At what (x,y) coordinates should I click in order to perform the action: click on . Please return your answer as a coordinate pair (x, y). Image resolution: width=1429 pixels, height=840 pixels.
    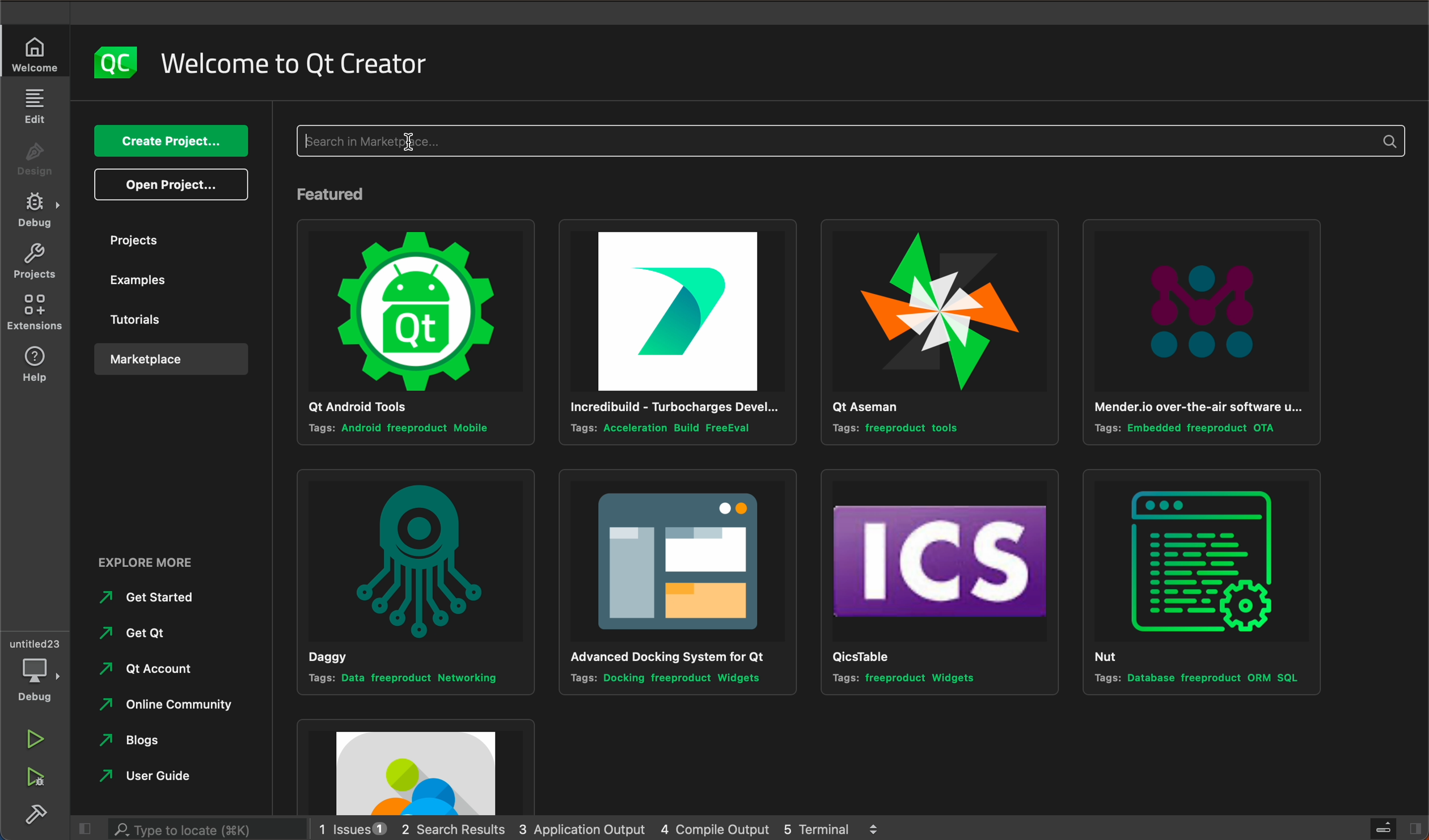
    Looking at the image, I should click on (151, 632).